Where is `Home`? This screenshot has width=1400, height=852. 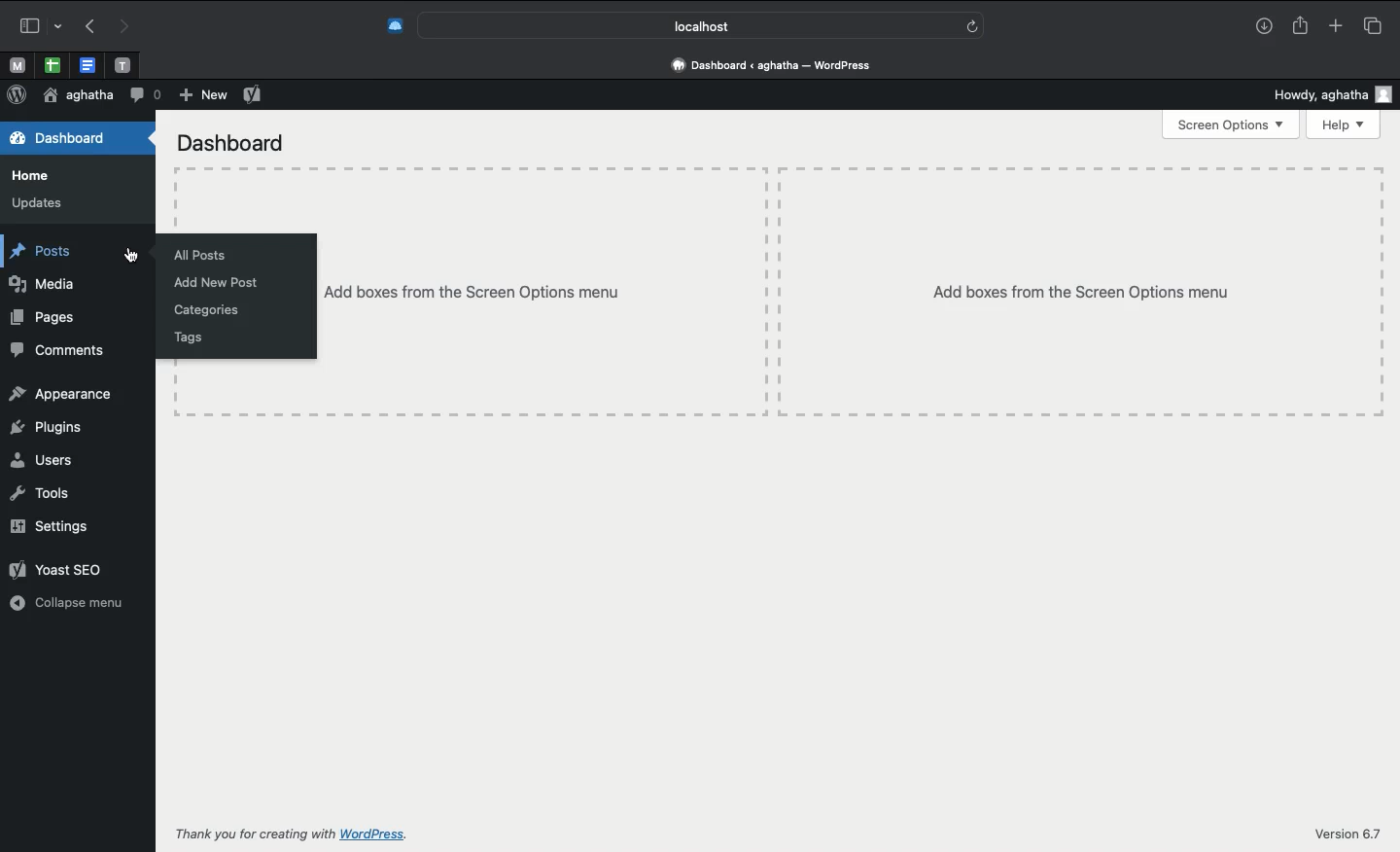 Home is located at coordinates (31, 176).